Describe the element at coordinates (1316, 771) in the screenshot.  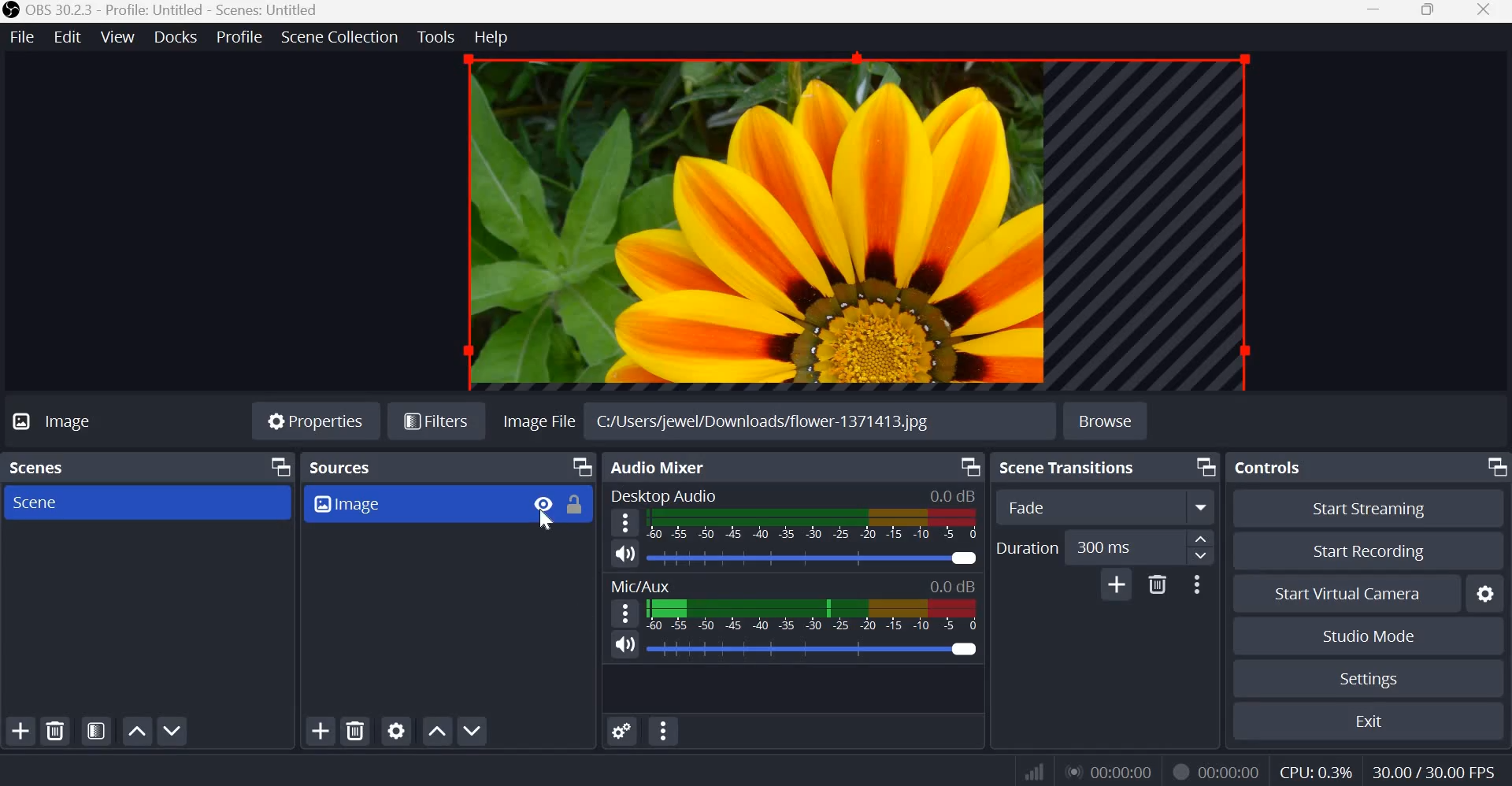
I see `CPU Usage` at that location.